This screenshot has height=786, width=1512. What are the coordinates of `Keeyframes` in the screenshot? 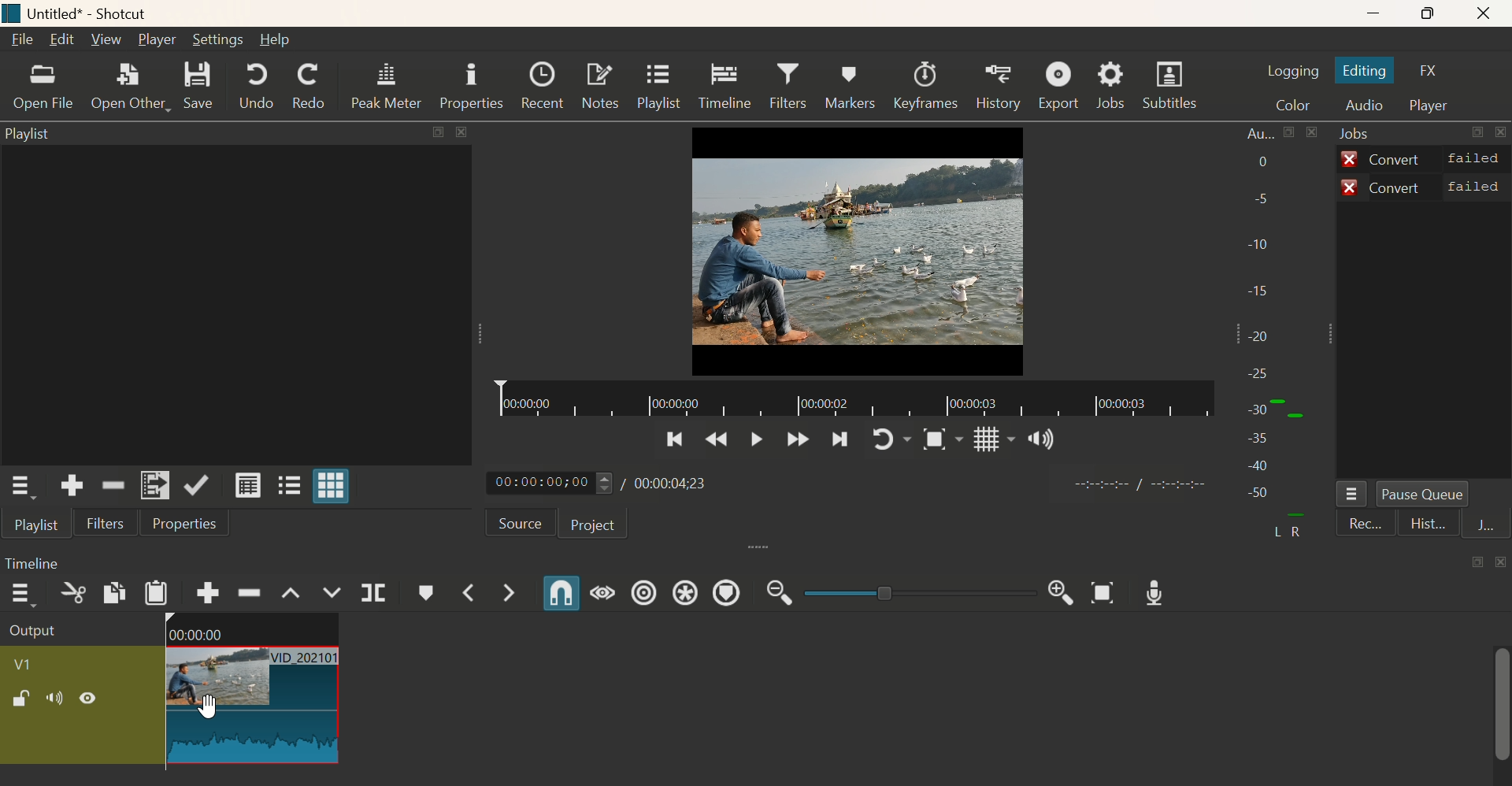 It's located at (928, 87).